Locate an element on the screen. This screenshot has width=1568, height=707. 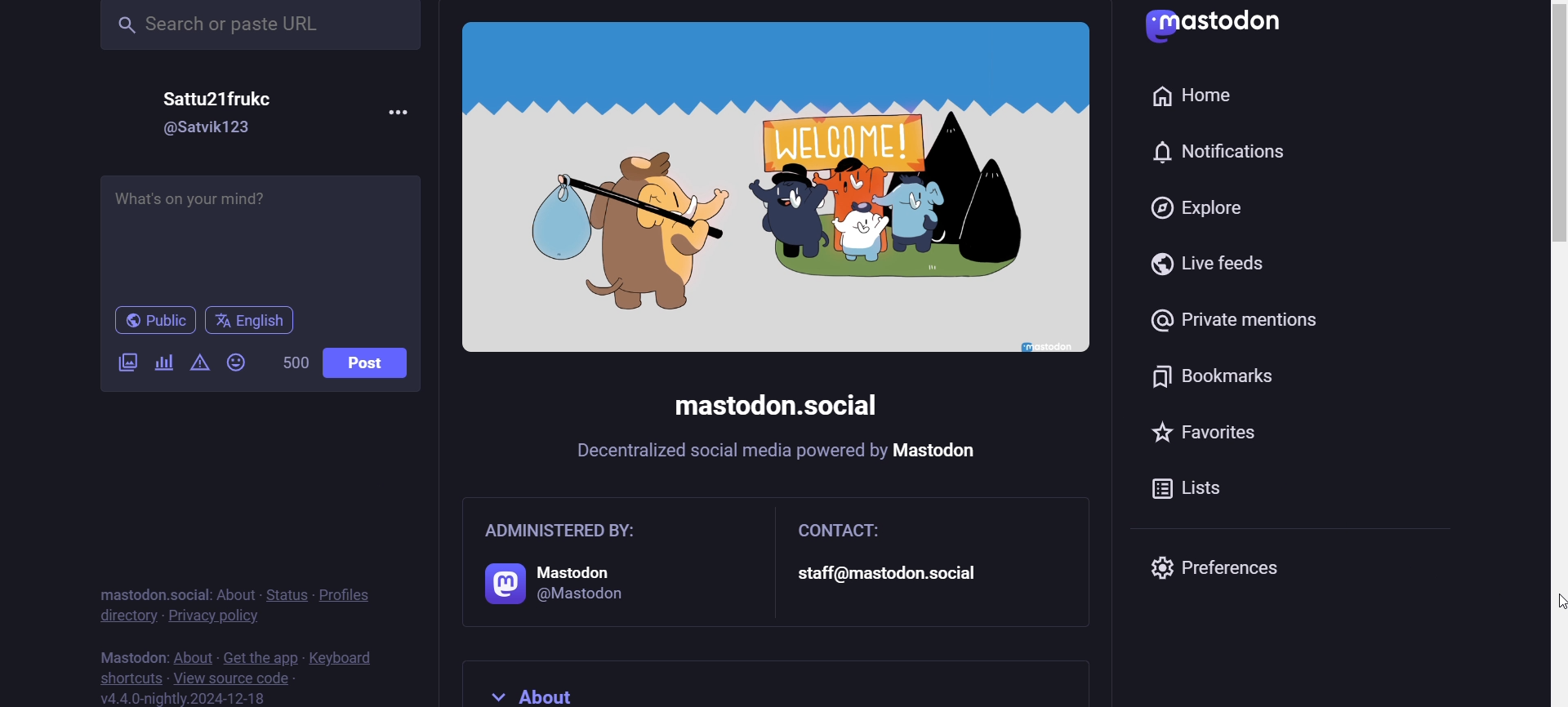
profiles is located at coordinates (353, 594).